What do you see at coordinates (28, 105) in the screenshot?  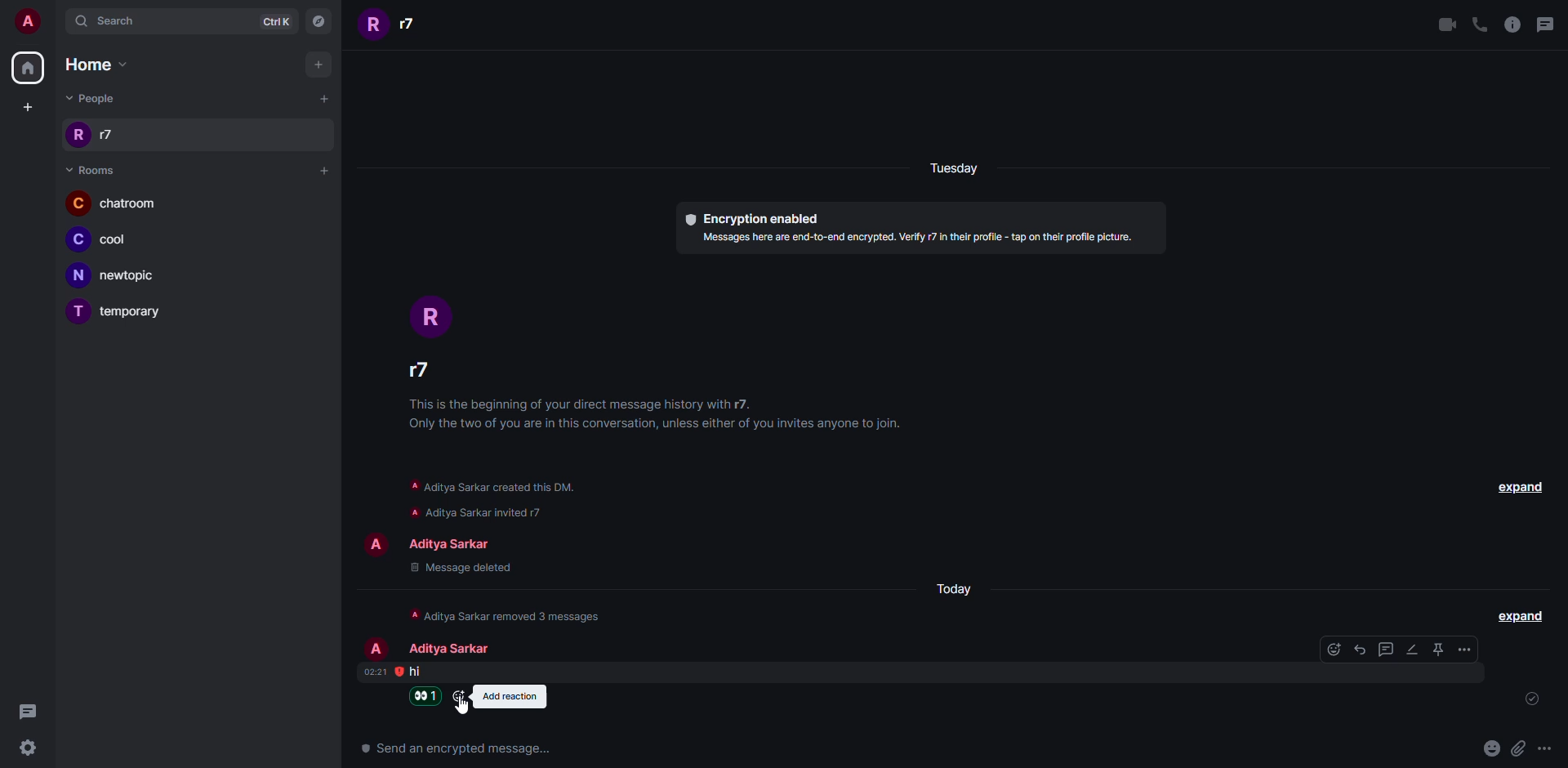 I see `create space` at bounding box center [28, 105].